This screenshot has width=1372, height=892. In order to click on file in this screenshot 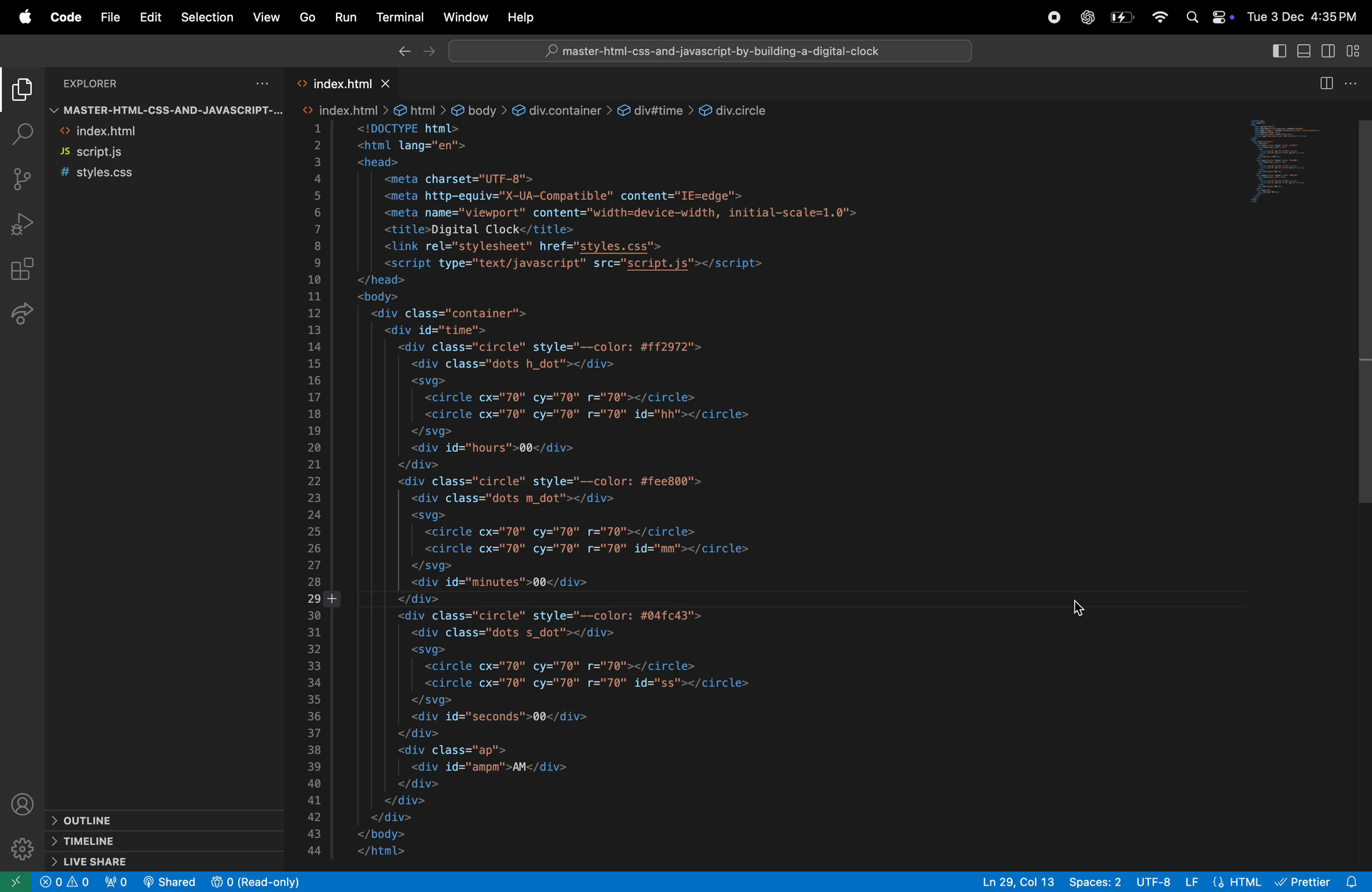, I will do `click(107, 16)`.